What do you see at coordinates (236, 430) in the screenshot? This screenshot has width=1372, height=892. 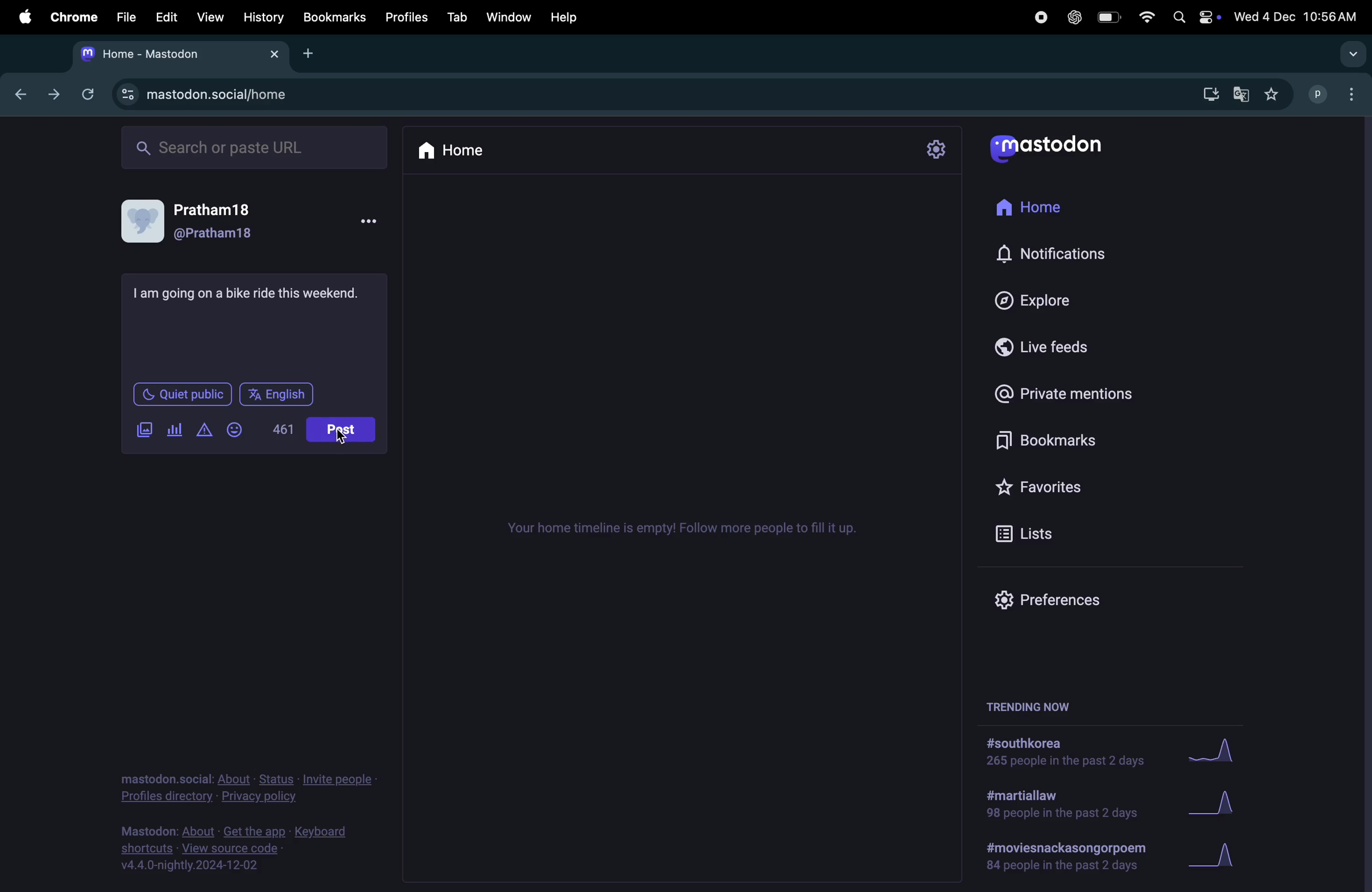 I see `emoji` at bounding box center [236, 430].